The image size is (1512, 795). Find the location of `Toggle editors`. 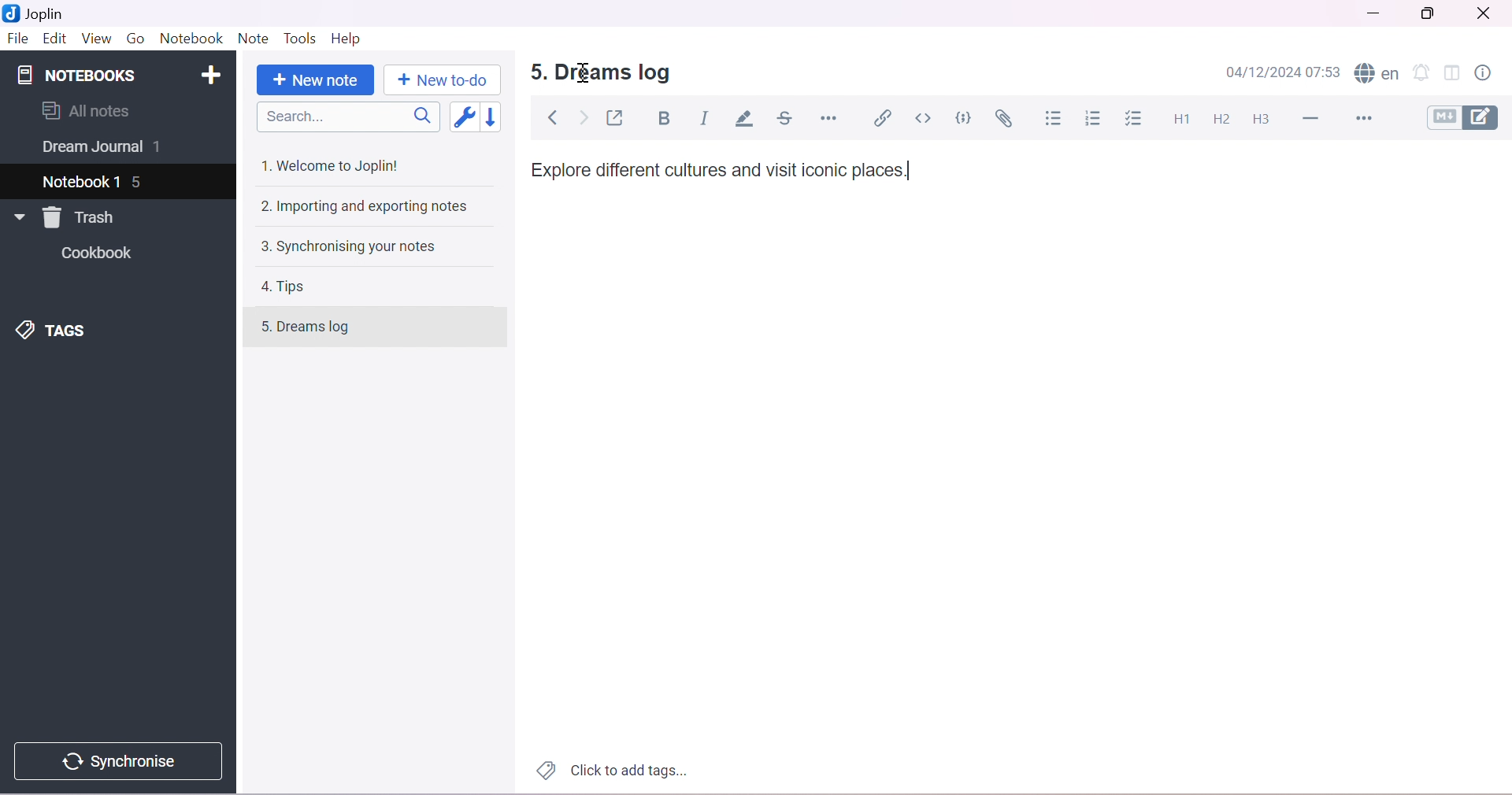

Toggle editors is located at coordinates (1467, 117).